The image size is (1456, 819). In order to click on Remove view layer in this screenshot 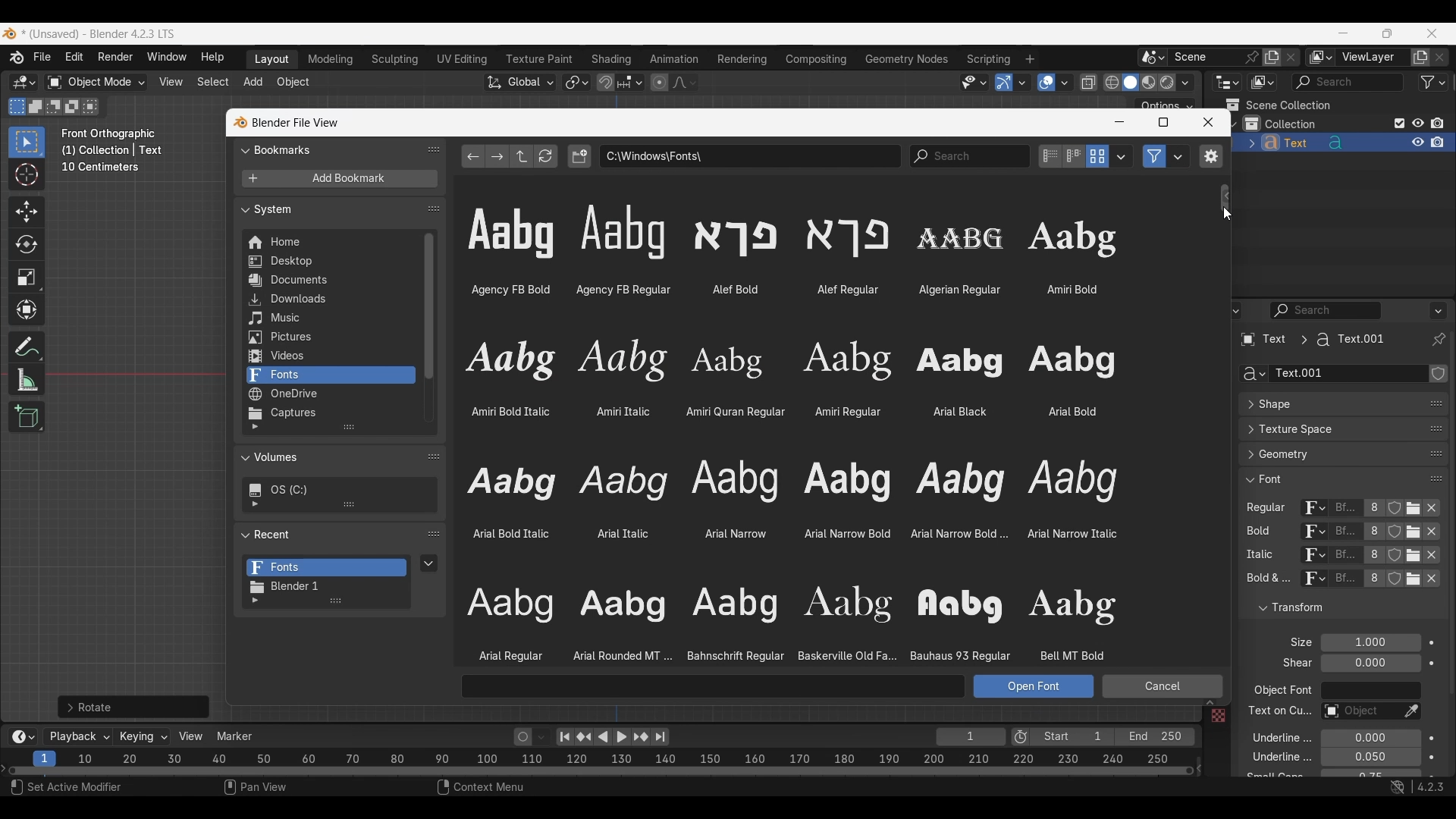, I will do `click(1440, 57)`.